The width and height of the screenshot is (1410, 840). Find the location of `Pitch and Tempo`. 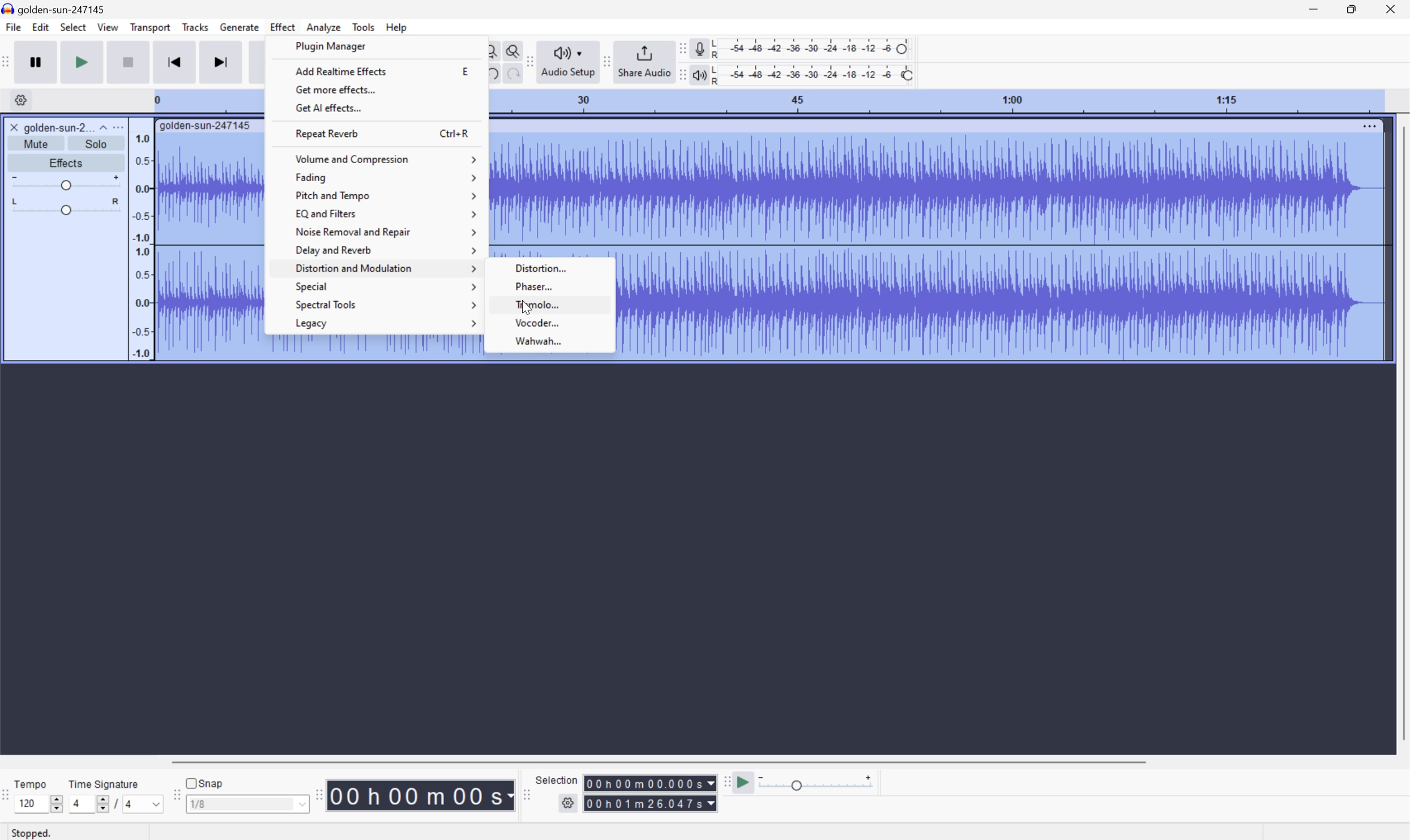

Pitch and Tempo is located at coordinates (383, 197).